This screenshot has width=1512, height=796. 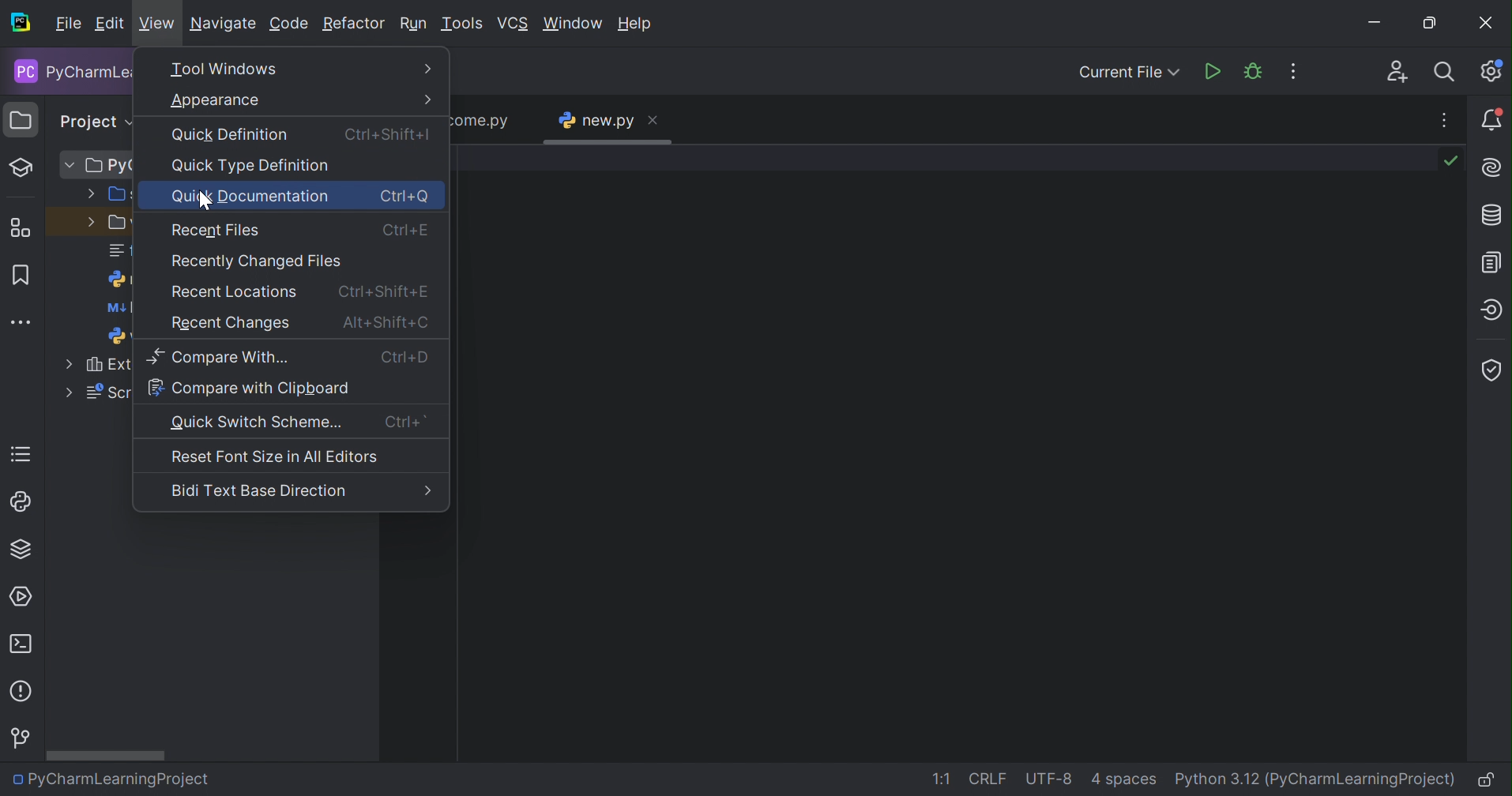 What do you see at coordinates (275, 456) in the screenshot?
I see `Reset Font Size in All Editors` at bounding box center [275, 456].